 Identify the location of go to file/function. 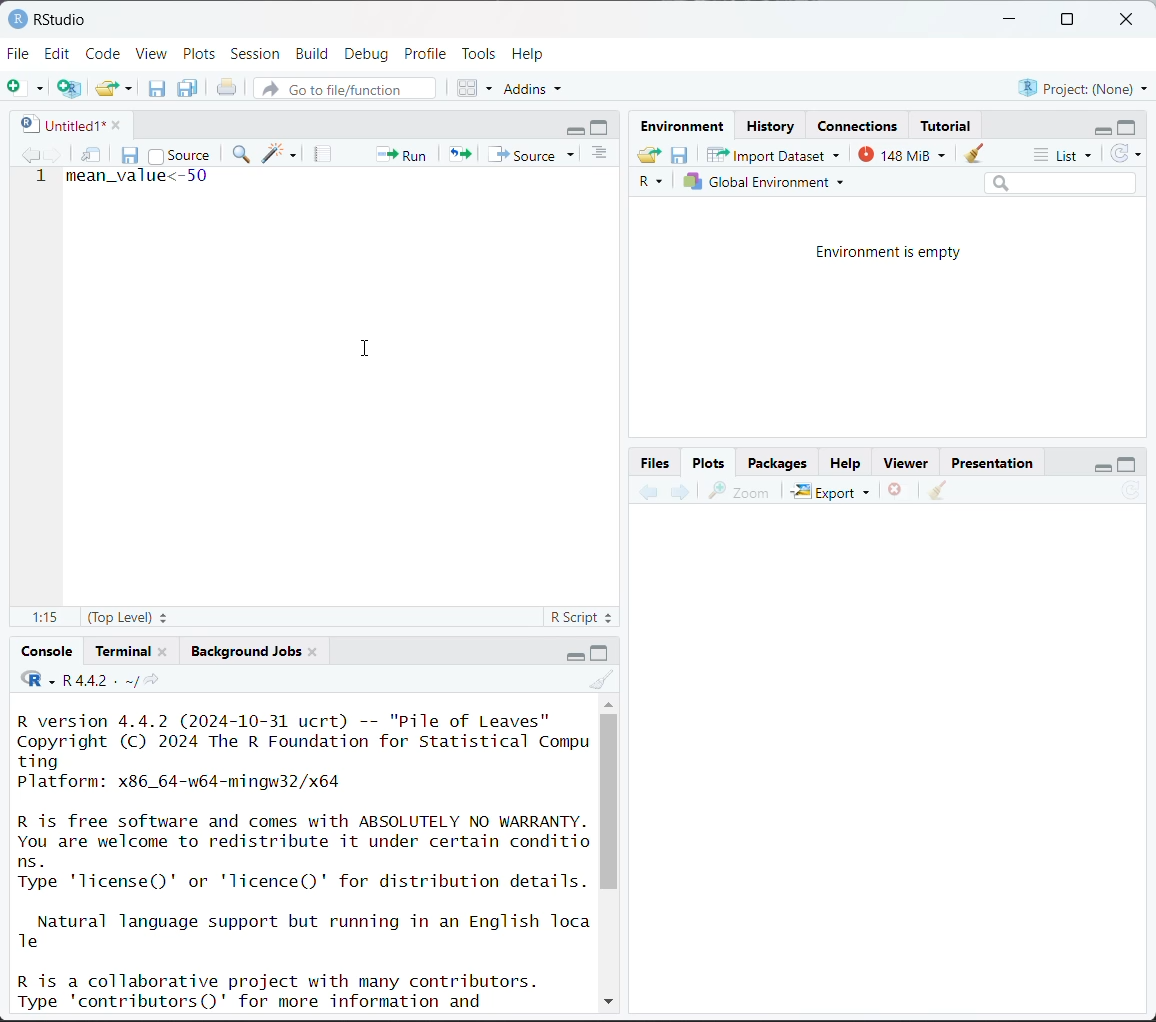
(343, 90).